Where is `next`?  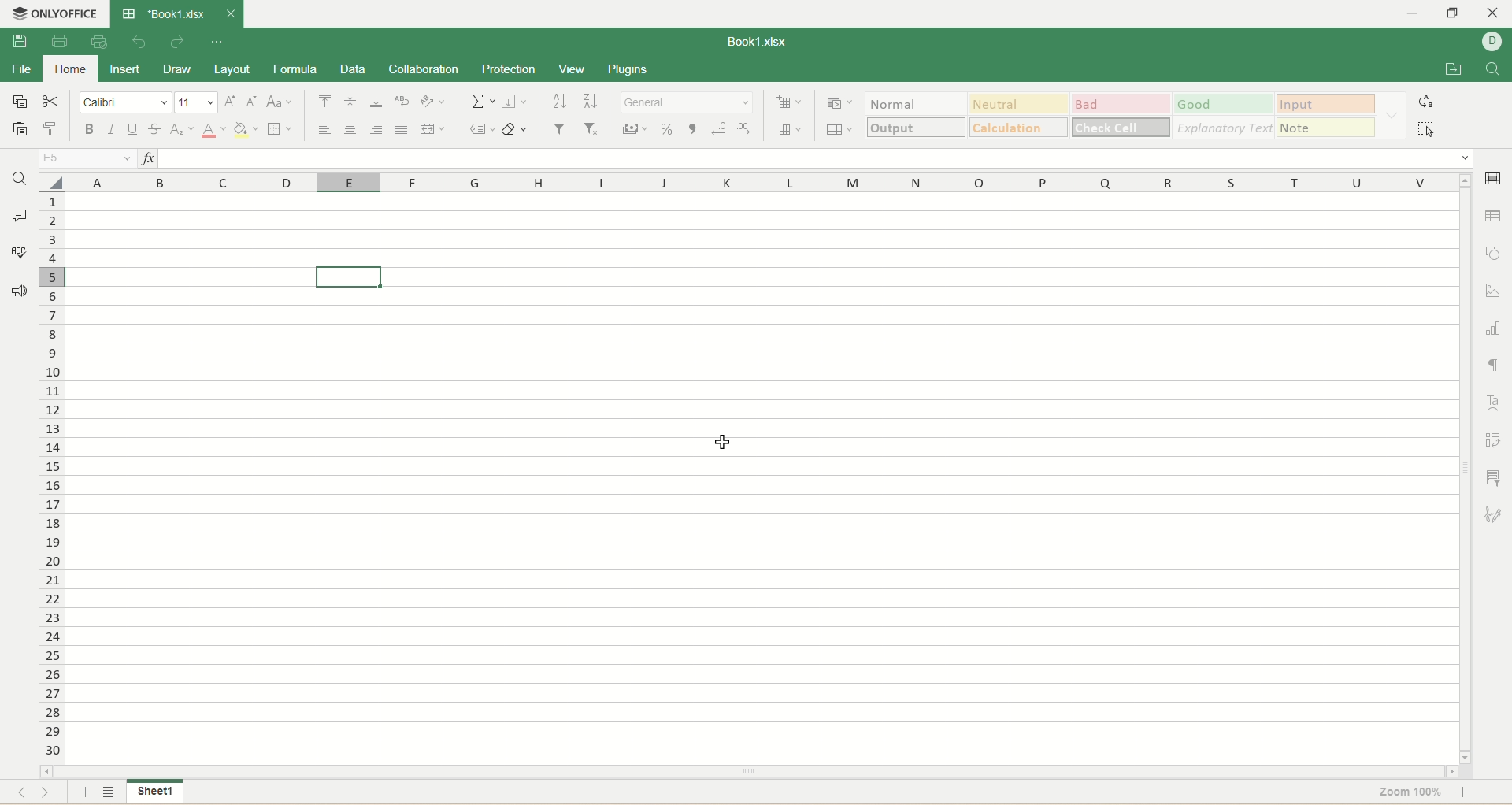 next is located at coordinates (46, 793).